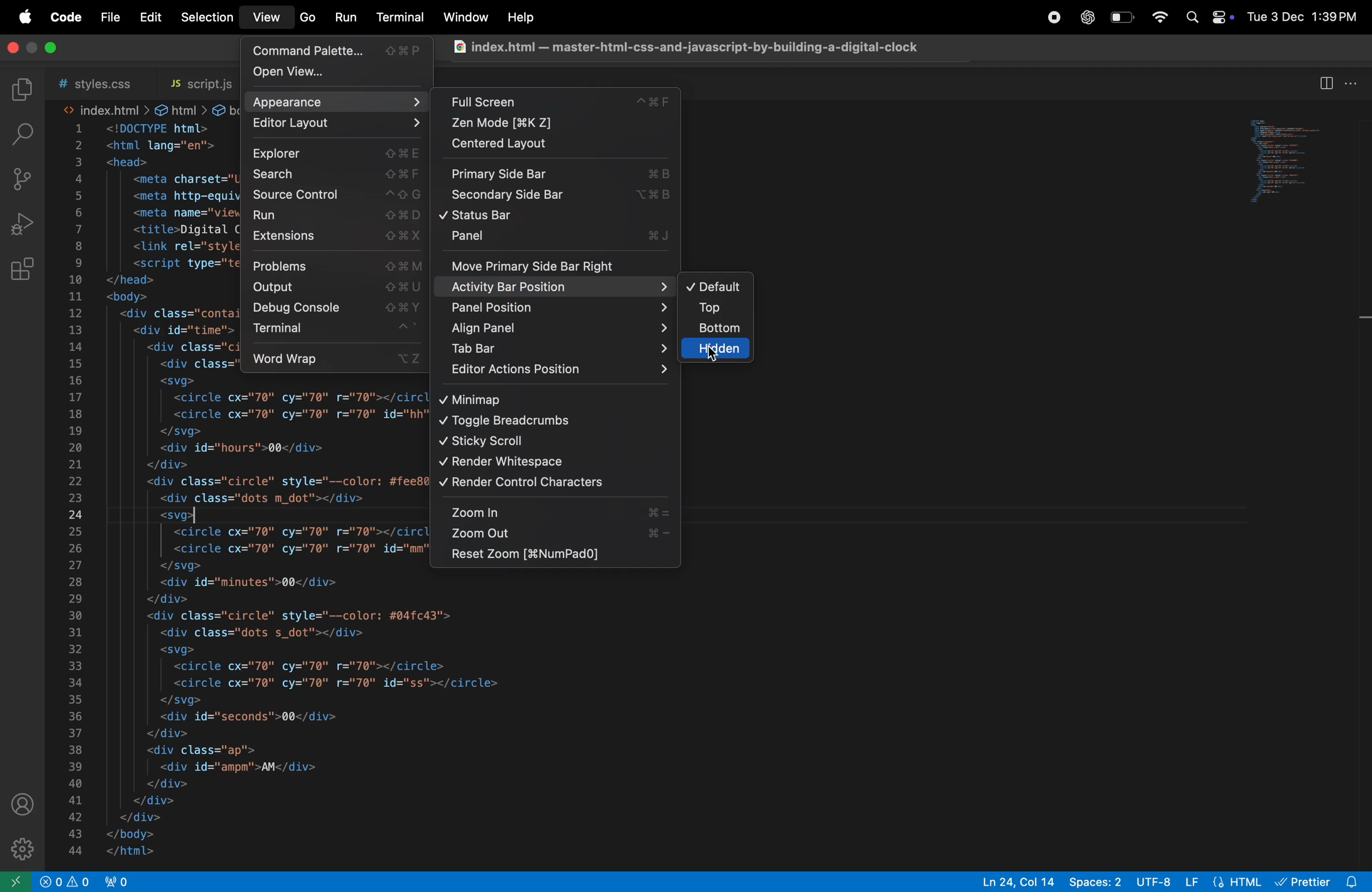  What do you see at coordinates (107, 18) in the screenshot?
I see `file` at bounding box center [107, 18].